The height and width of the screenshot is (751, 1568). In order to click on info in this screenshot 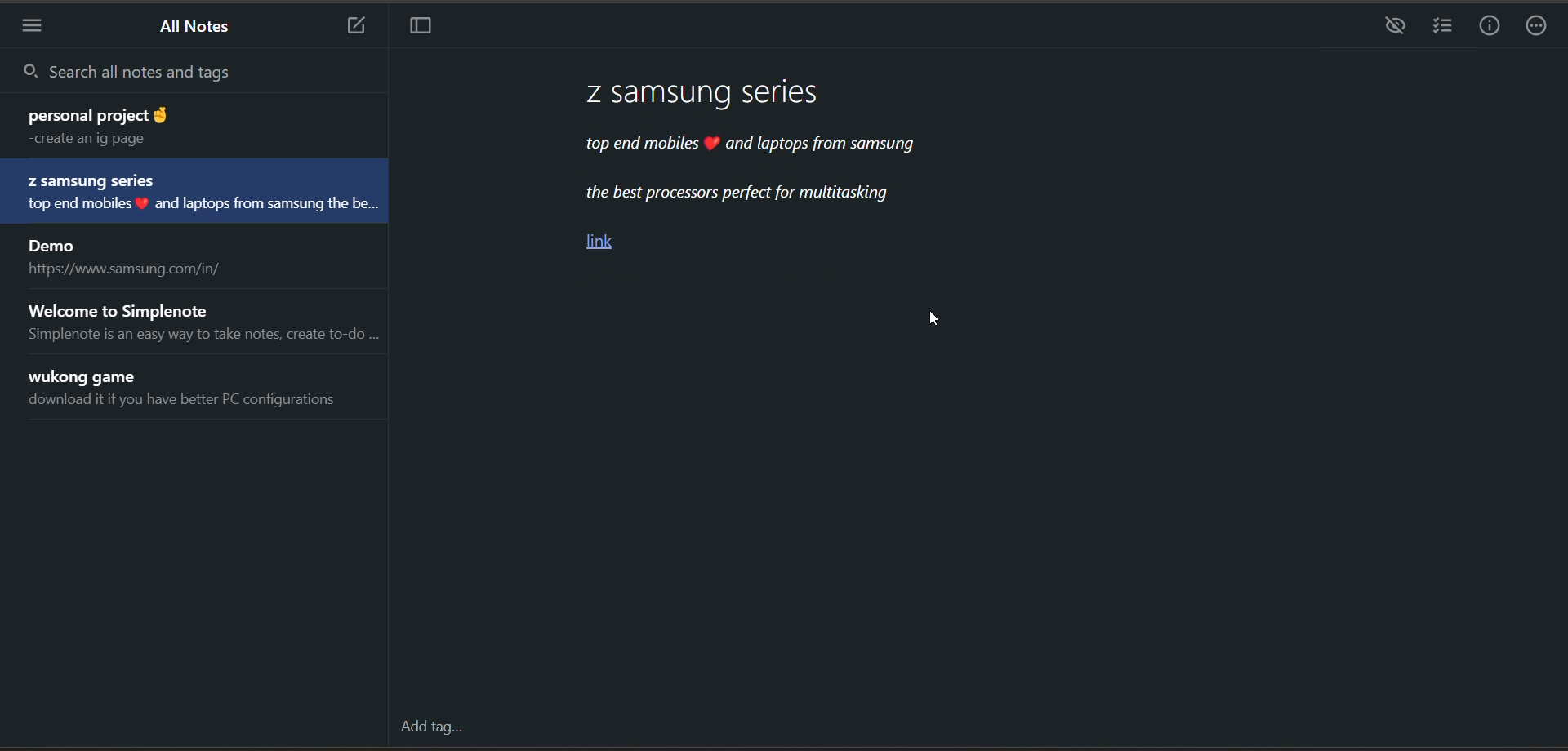, I will do `click(1492, 28)`.